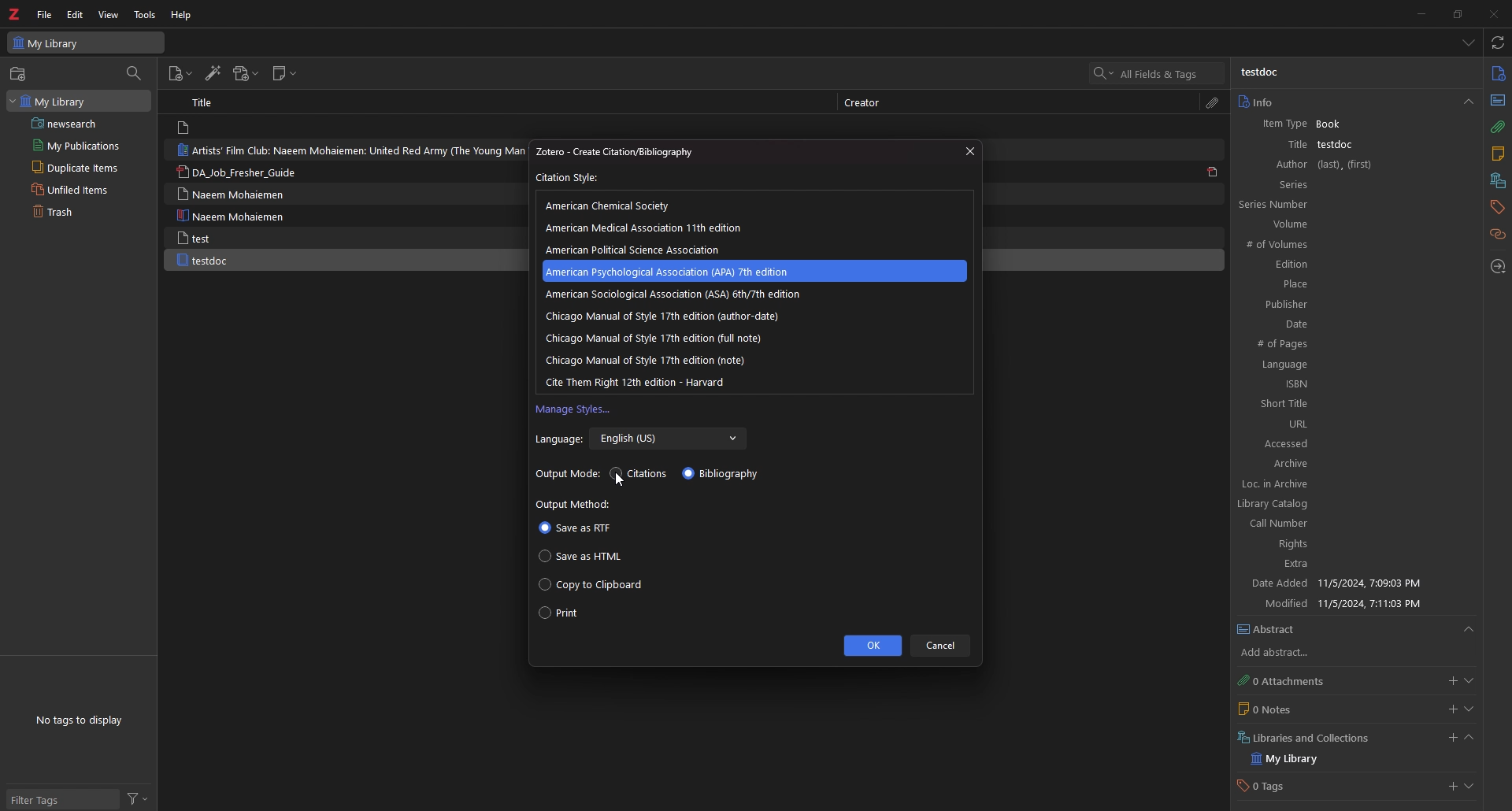 Image resolution: width=1512 pixels, height=811 pixels. What do you see at coordinates (575, 529) in the screenshot?
I see `save as rtf` at bounding box center [575, 529].